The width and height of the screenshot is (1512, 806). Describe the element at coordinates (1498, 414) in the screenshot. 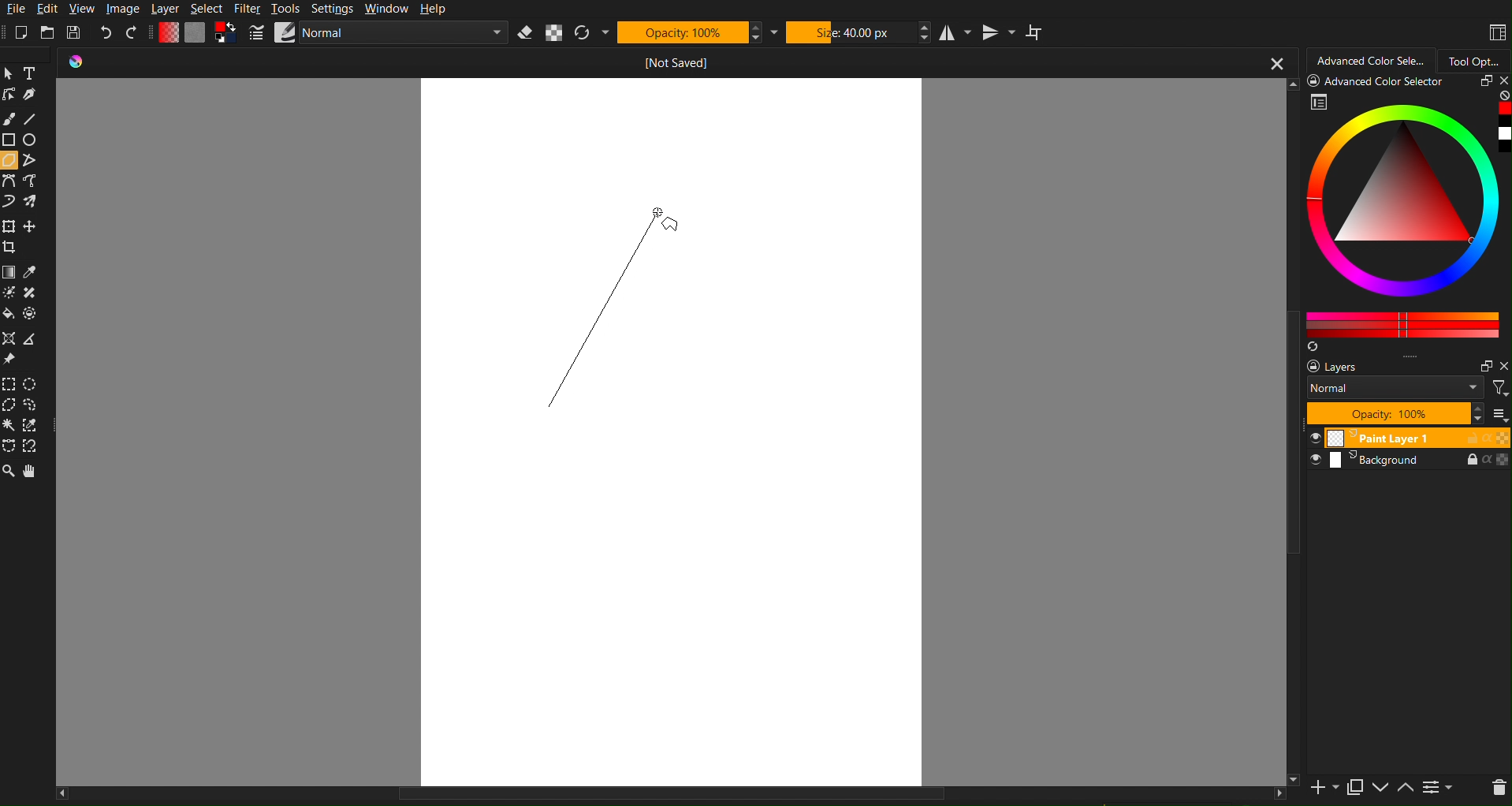

I see `more` at that location.